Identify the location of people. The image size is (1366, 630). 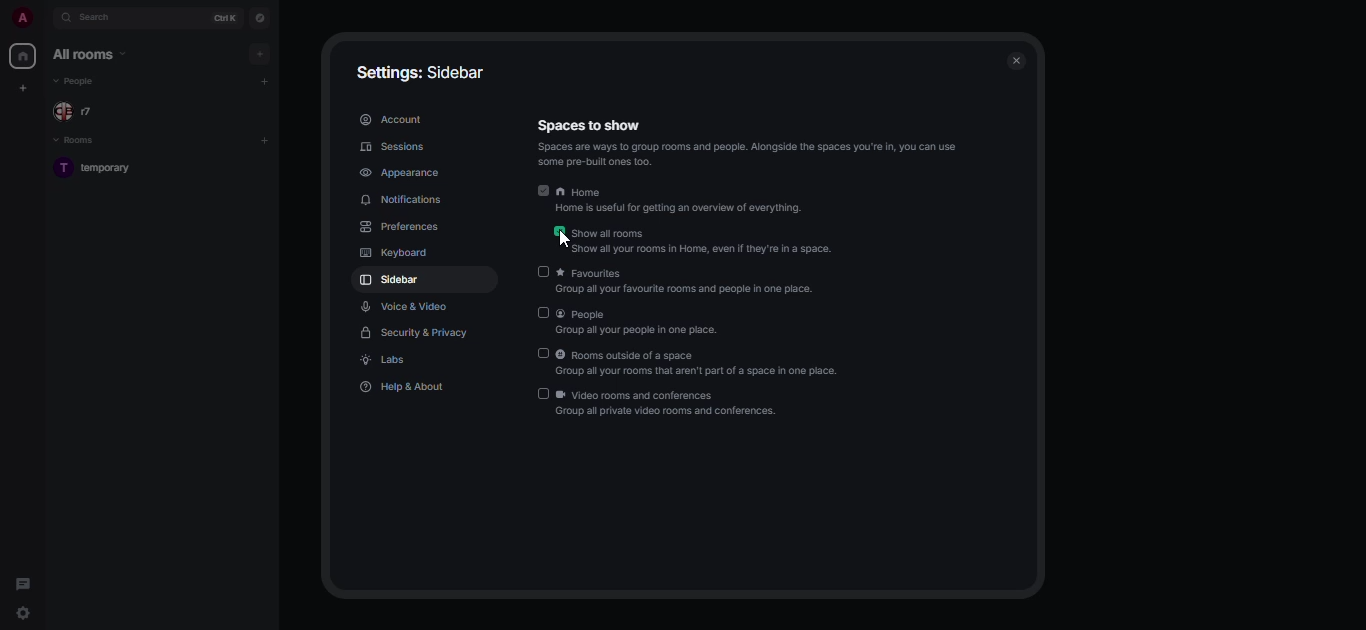
(77, 81).